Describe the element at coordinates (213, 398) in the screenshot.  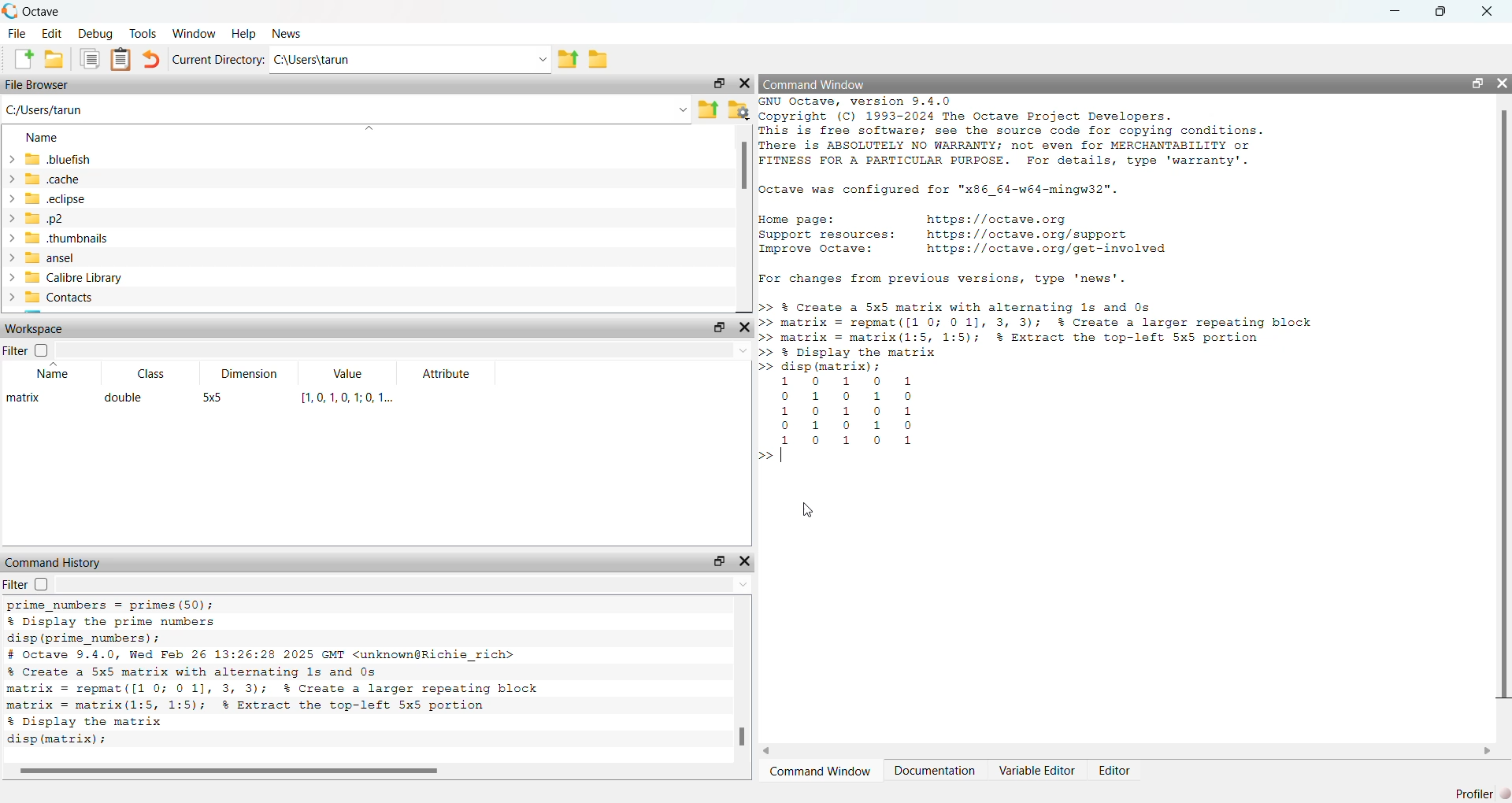
I see `5x5` at that location.